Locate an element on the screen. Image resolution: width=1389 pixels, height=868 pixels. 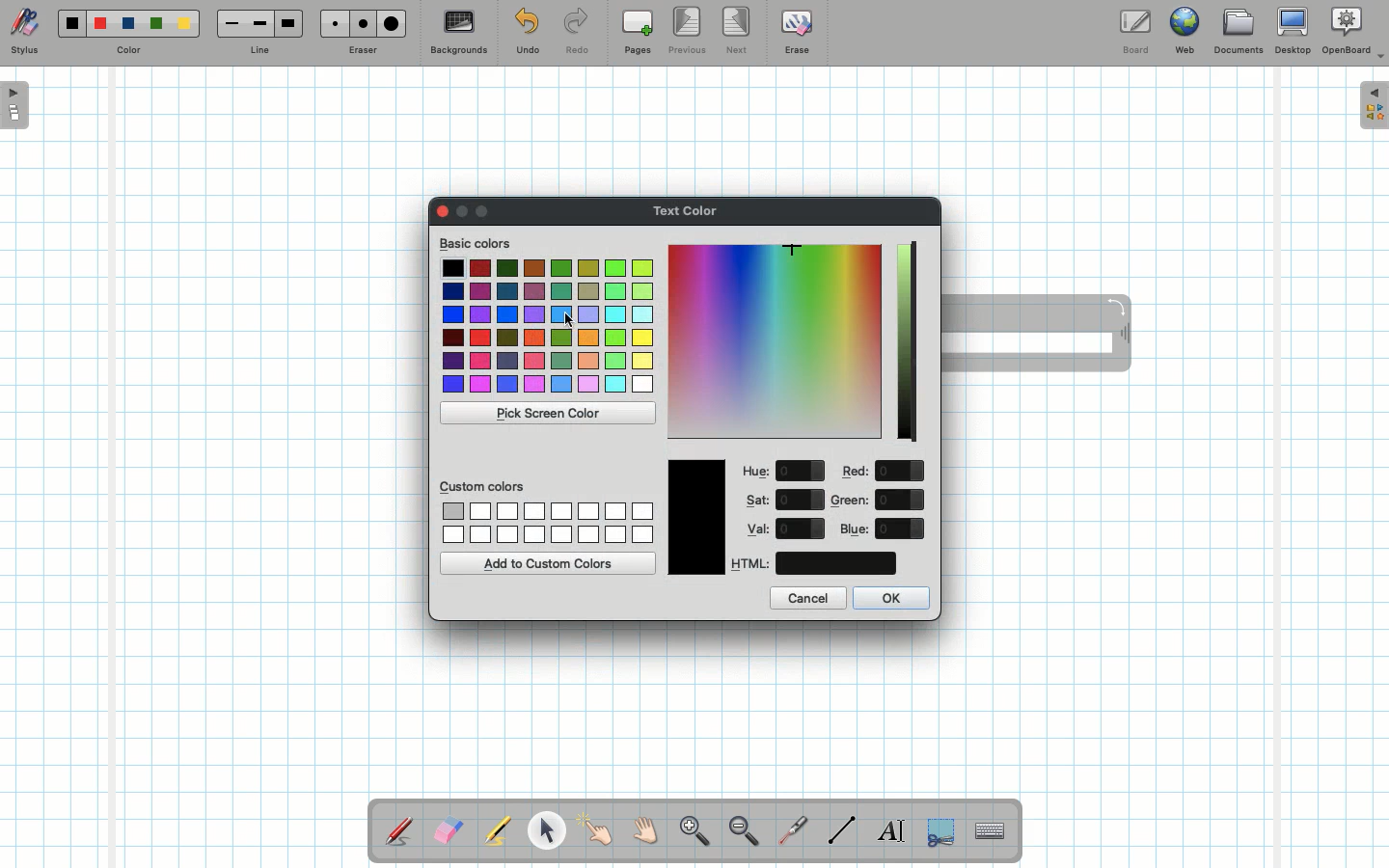
Open pages is located at coordinates (16, 104).